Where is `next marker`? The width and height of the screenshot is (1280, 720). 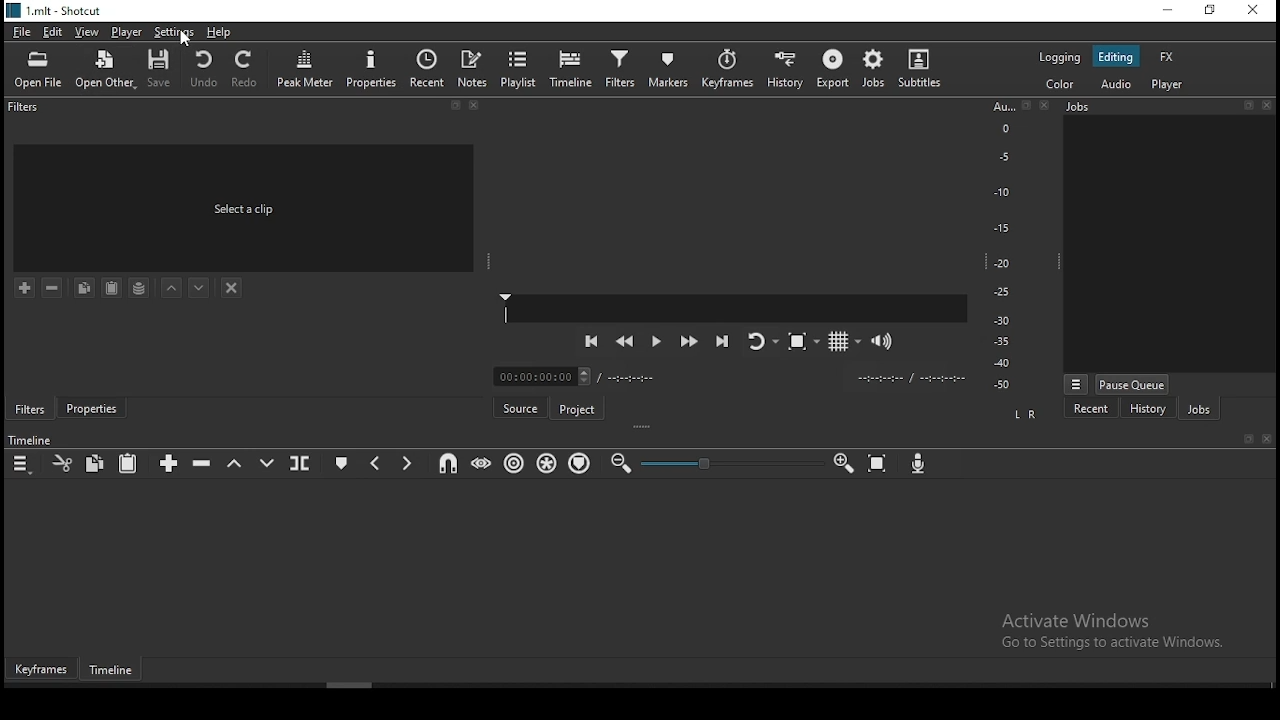
next marker is located at coordinates (407, 462).